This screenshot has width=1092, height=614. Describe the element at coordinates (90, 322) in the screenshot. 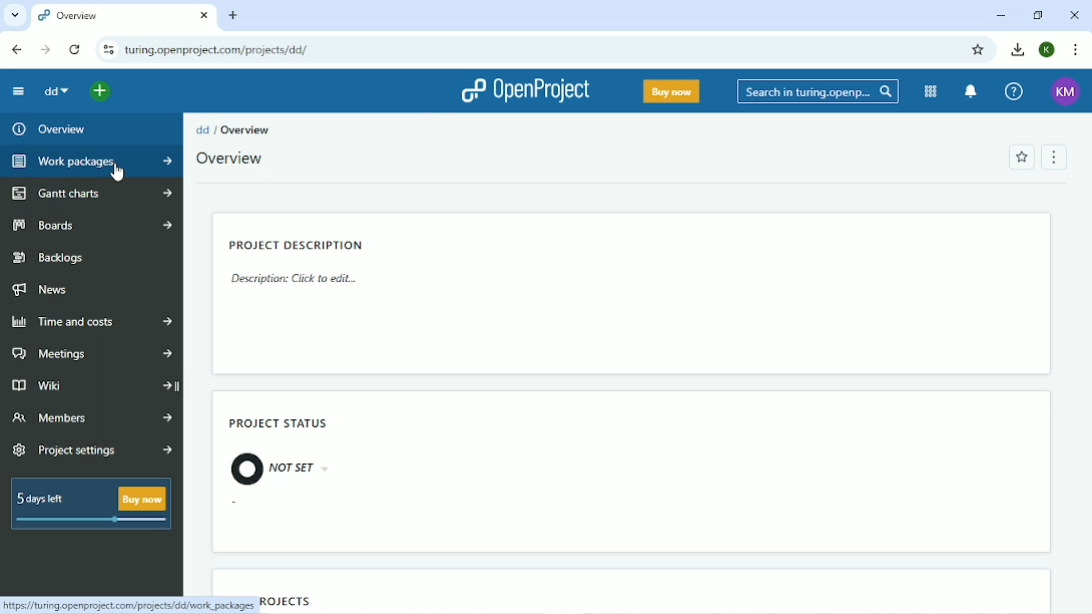

I see `Time and costs` at that location.